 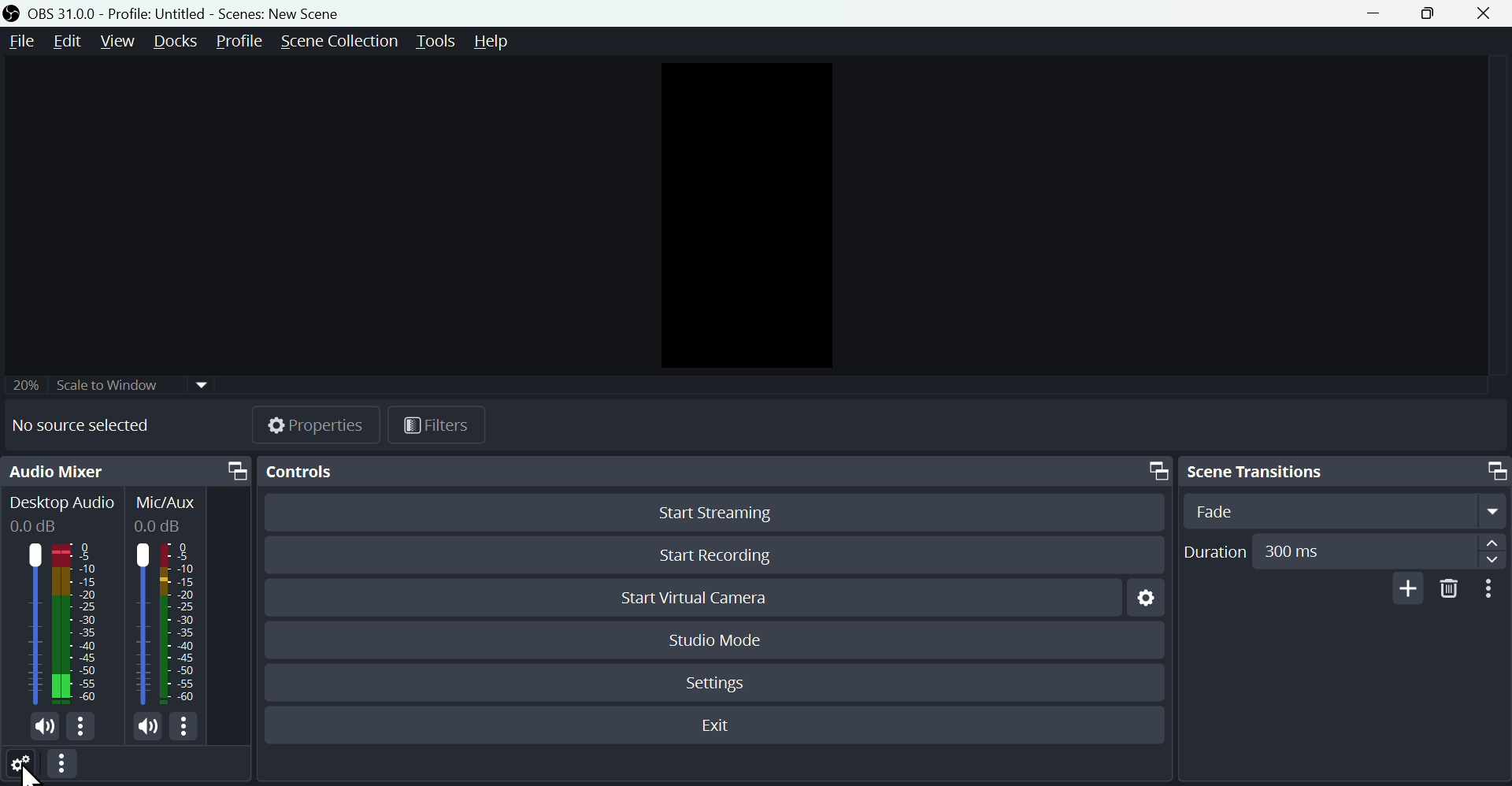 What do you see at coordinates (714, 473) in the screenshot?
I see `Controls` at bounding box center [714, 473].